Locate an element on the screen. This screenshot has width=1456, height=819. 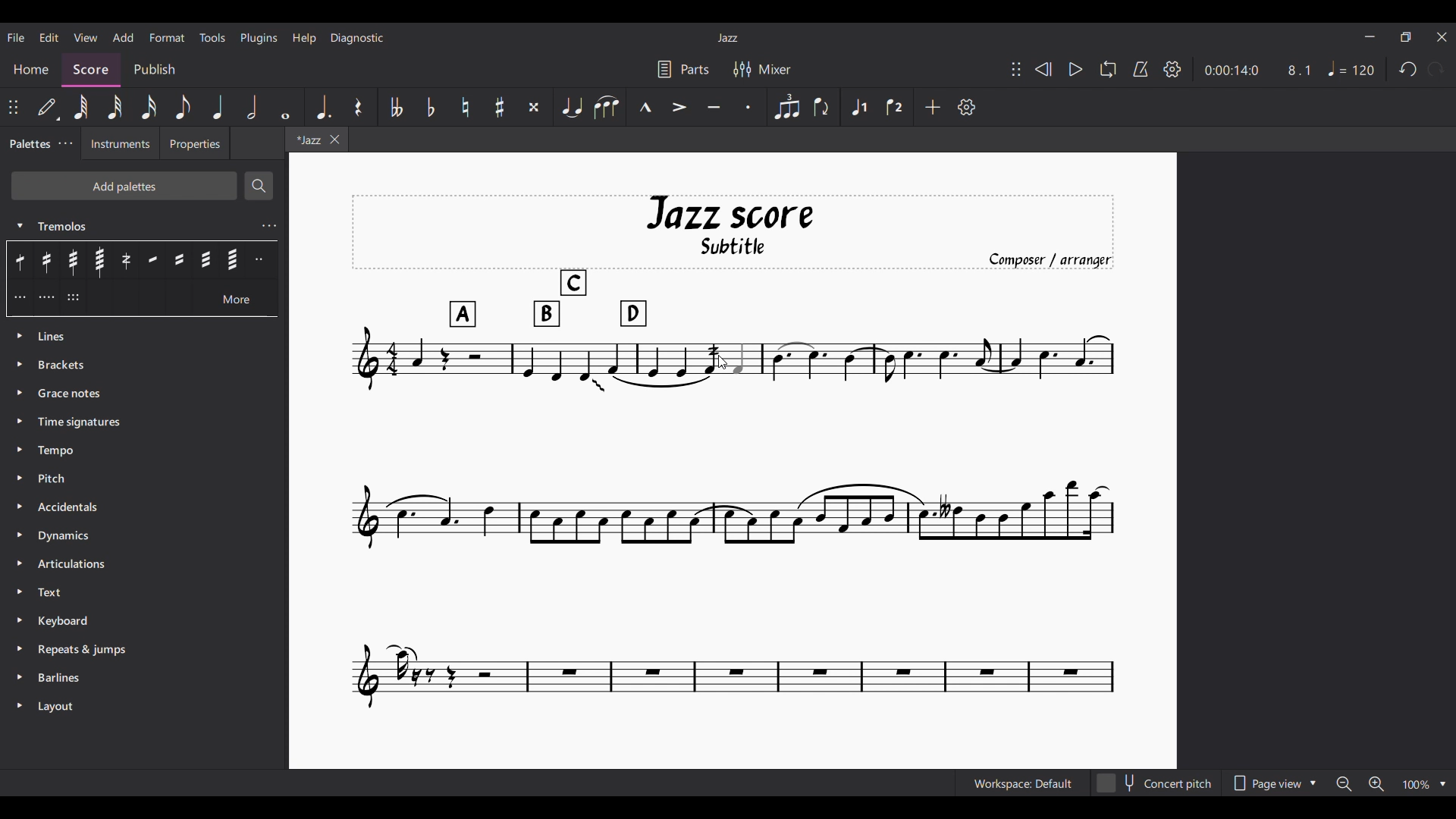
Divide measured Tremolo by 3 is located at coordinates (20, 297).